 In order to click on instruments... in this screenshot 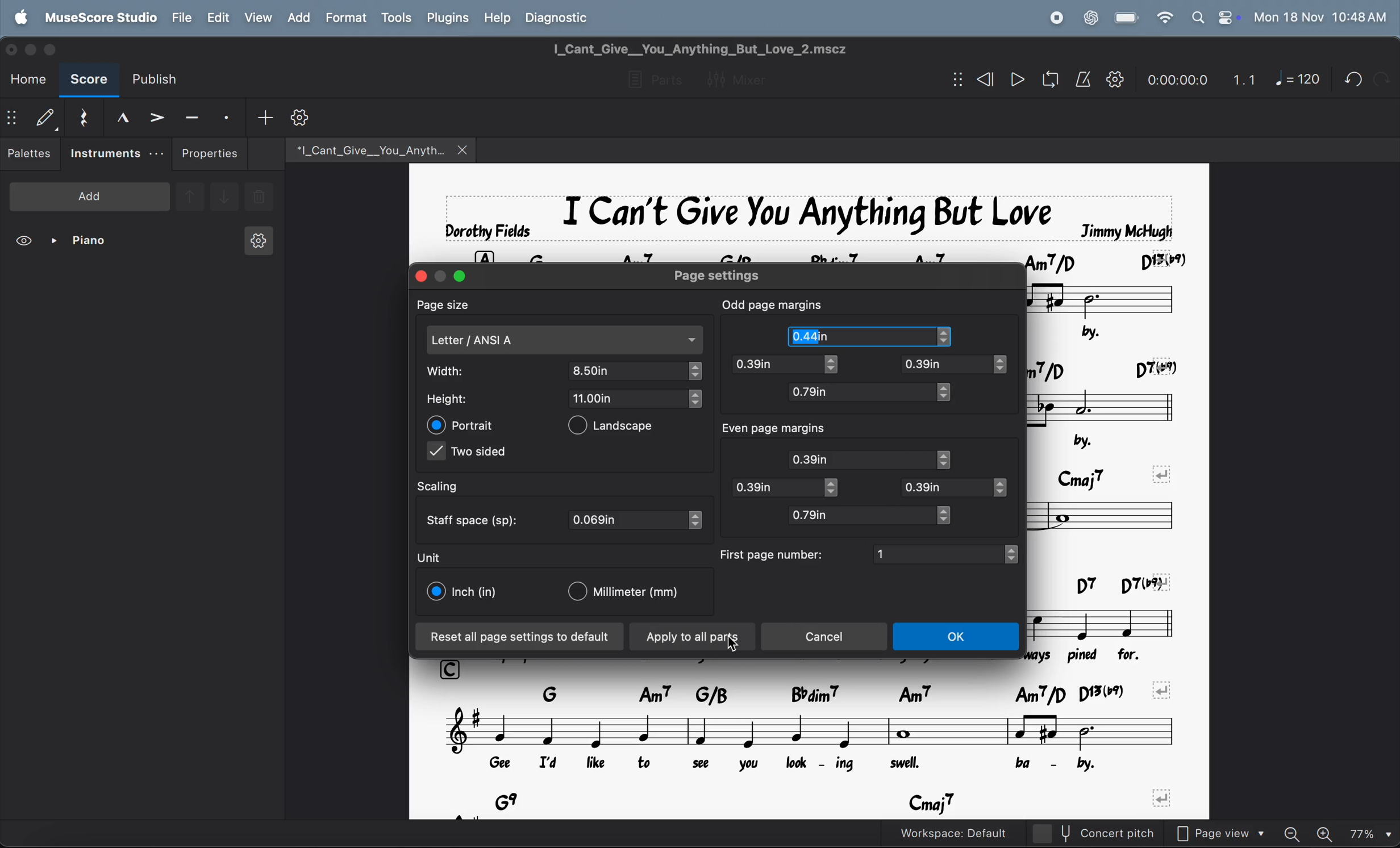, I will do `click(116, 154)`.